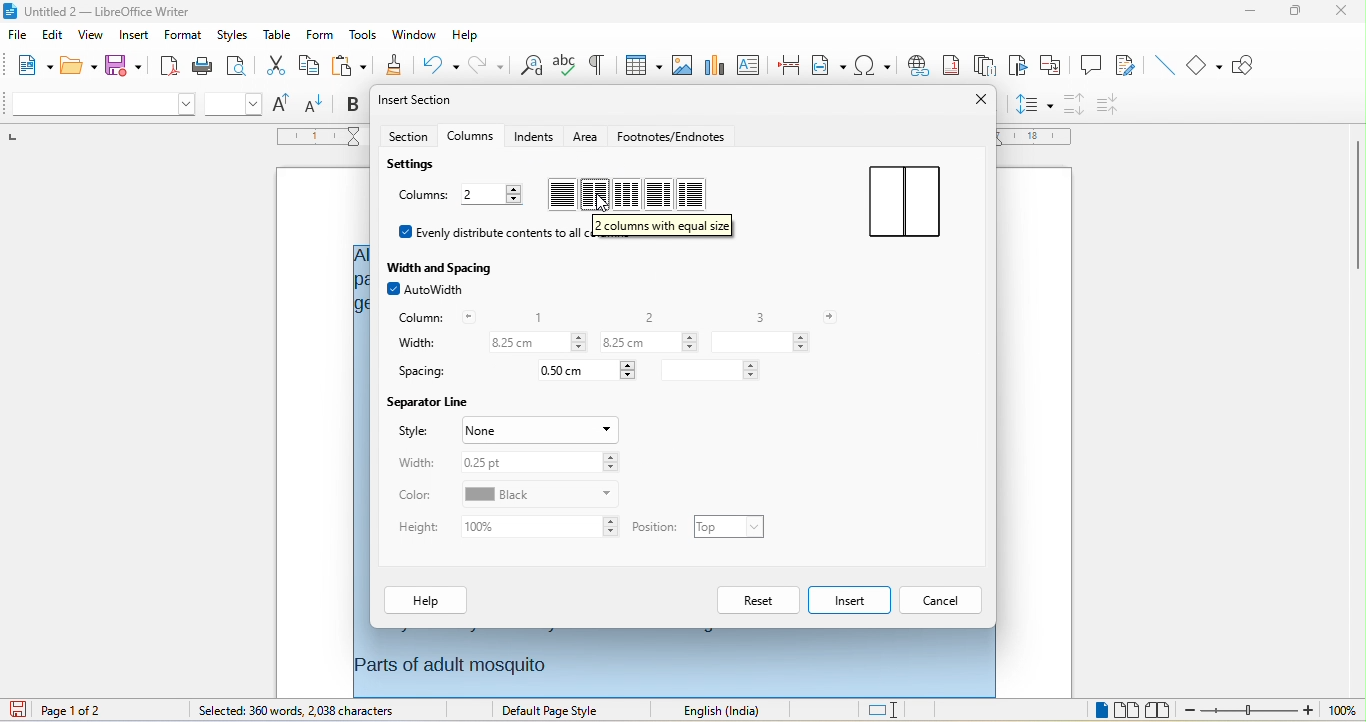  I want to click on save, so click(123, 64).